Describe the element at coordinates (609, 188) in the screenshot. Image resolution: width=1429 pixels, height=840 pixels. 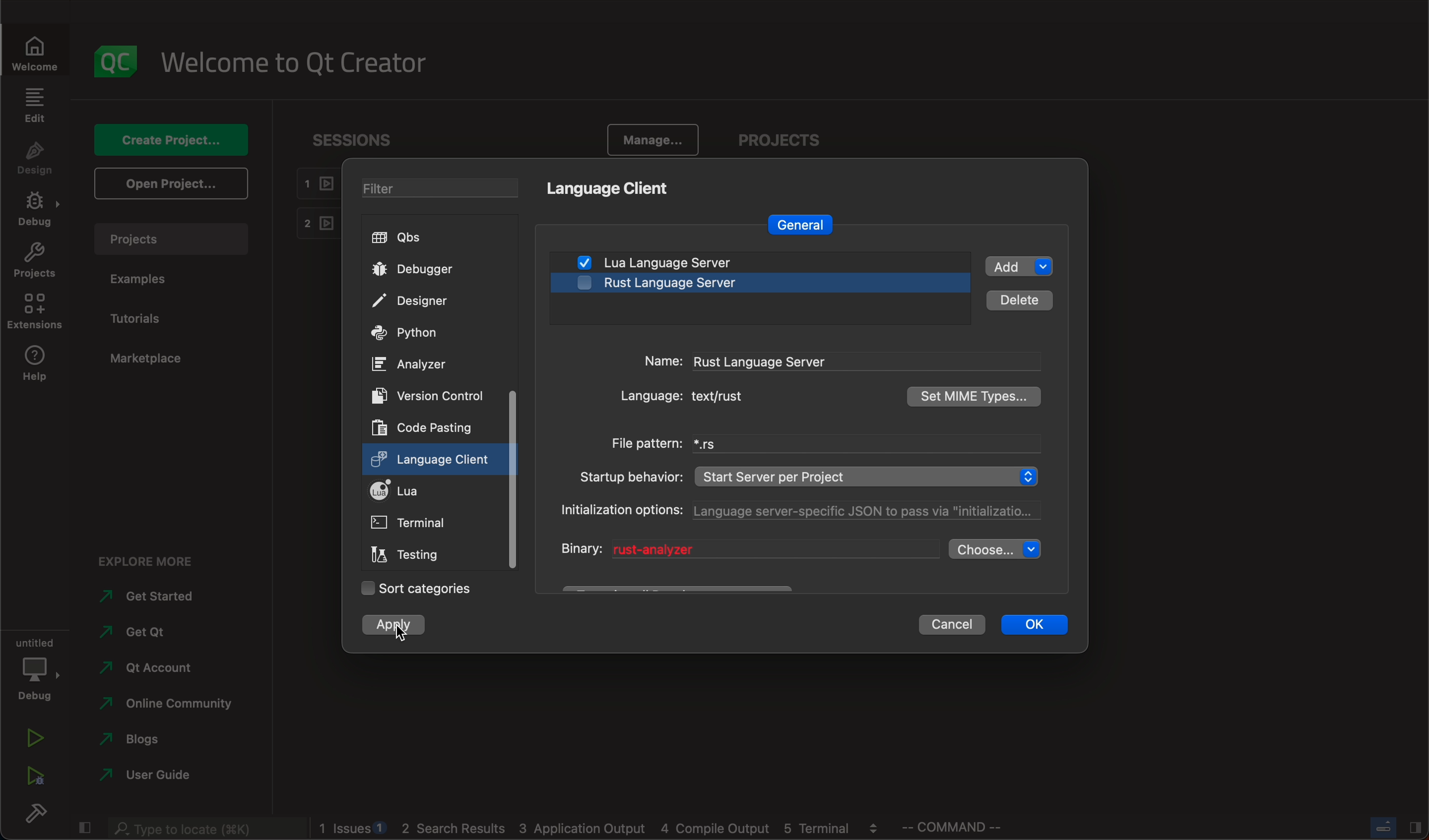
I see `language` at that location.